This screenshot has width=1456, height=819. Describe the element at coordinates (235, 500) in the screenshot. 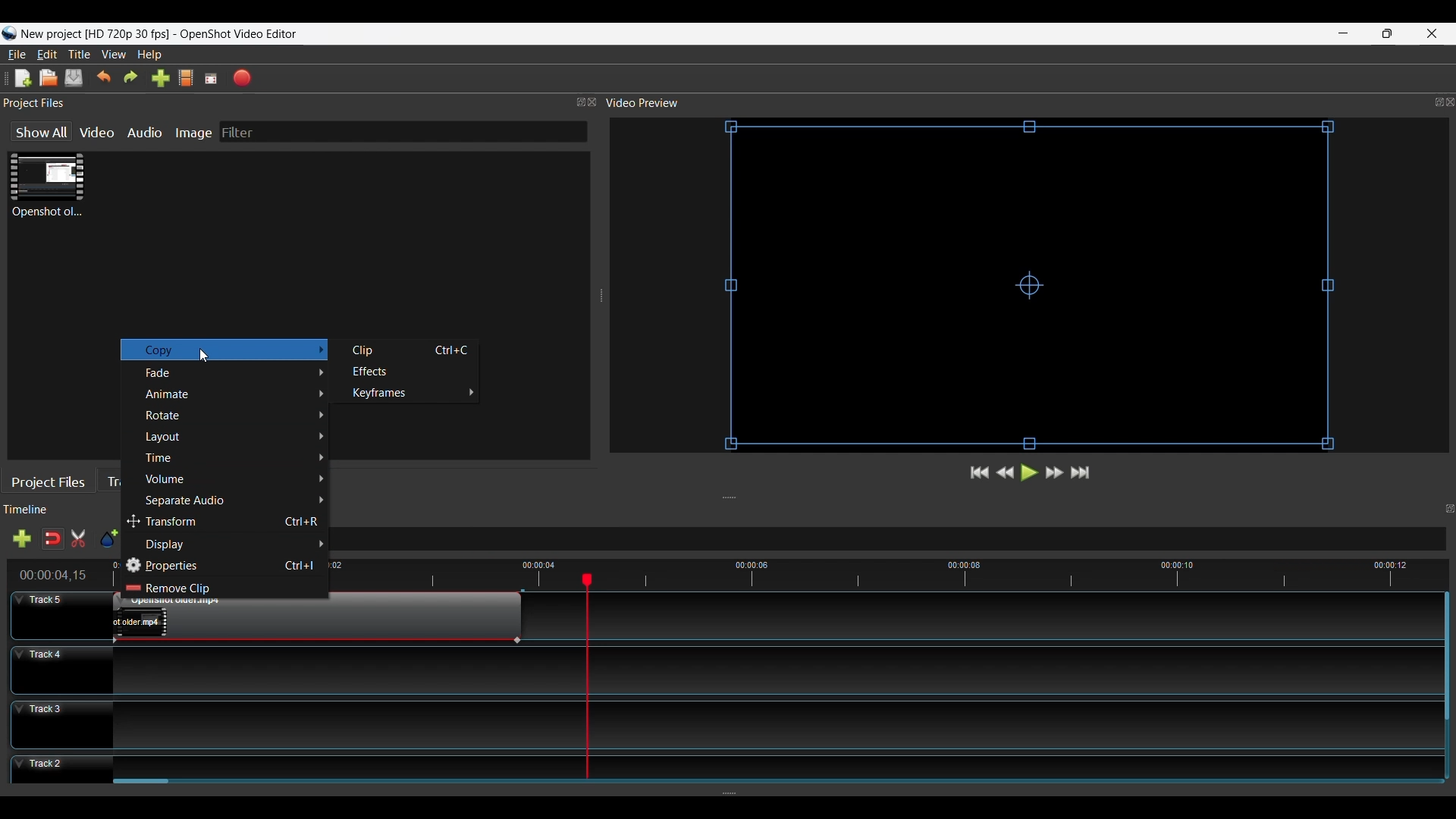

I see `Separate Audio` at that location.